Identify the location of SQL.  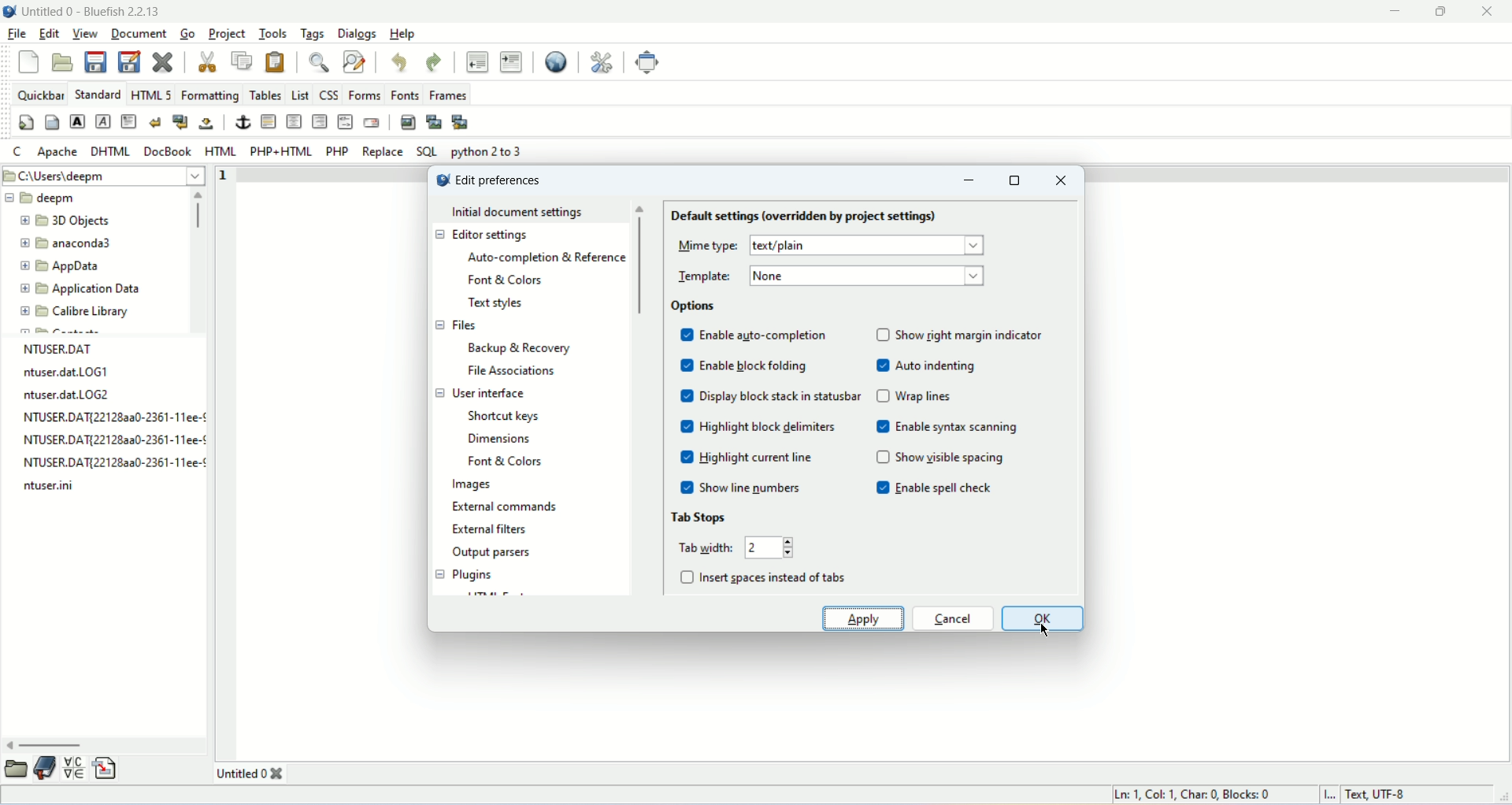
(427, 151).